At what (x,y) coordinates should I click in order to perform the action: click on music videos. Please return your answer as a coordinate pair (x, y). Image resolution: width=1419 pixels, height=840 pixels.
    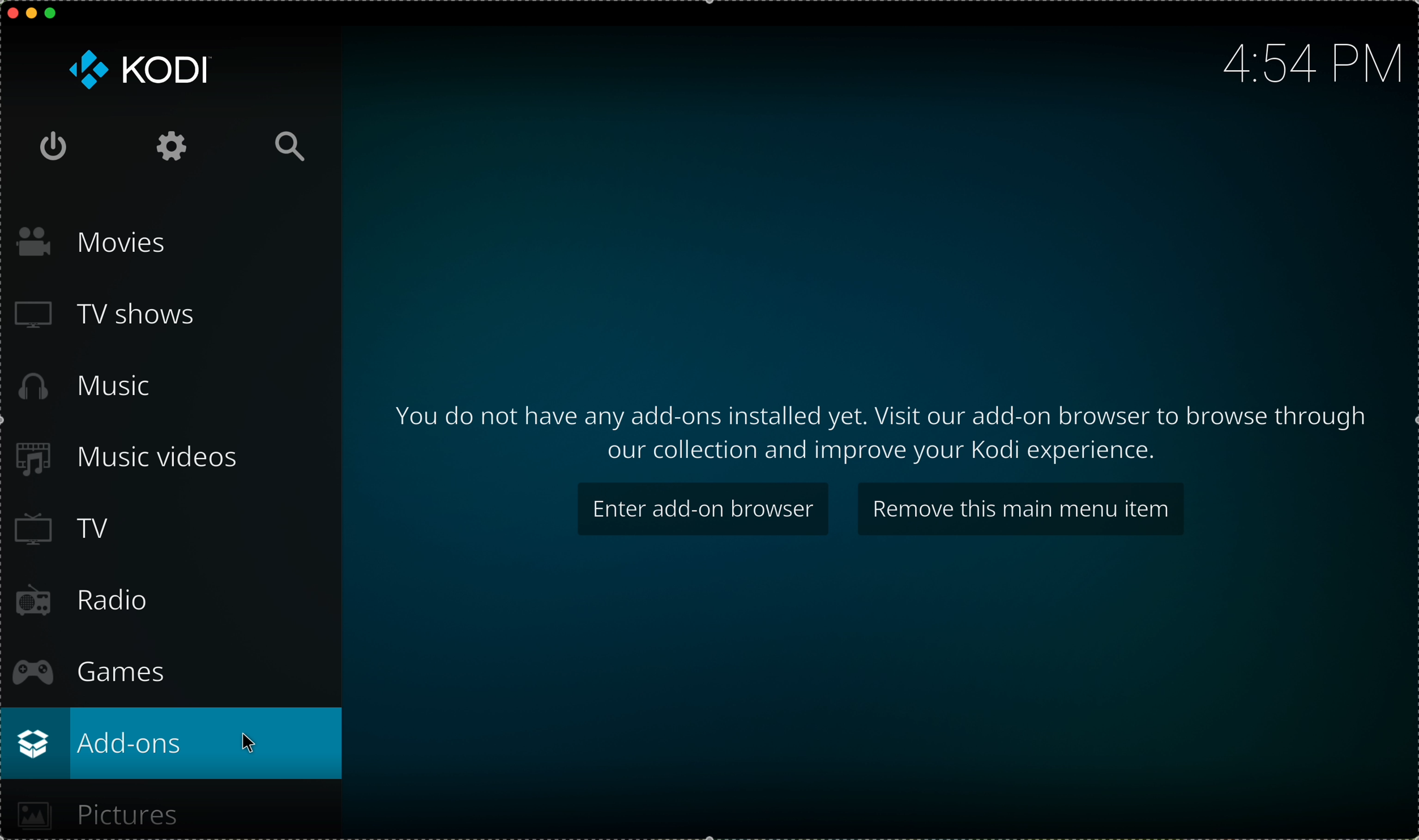
    Looking at the image, I should click on (130, 459).